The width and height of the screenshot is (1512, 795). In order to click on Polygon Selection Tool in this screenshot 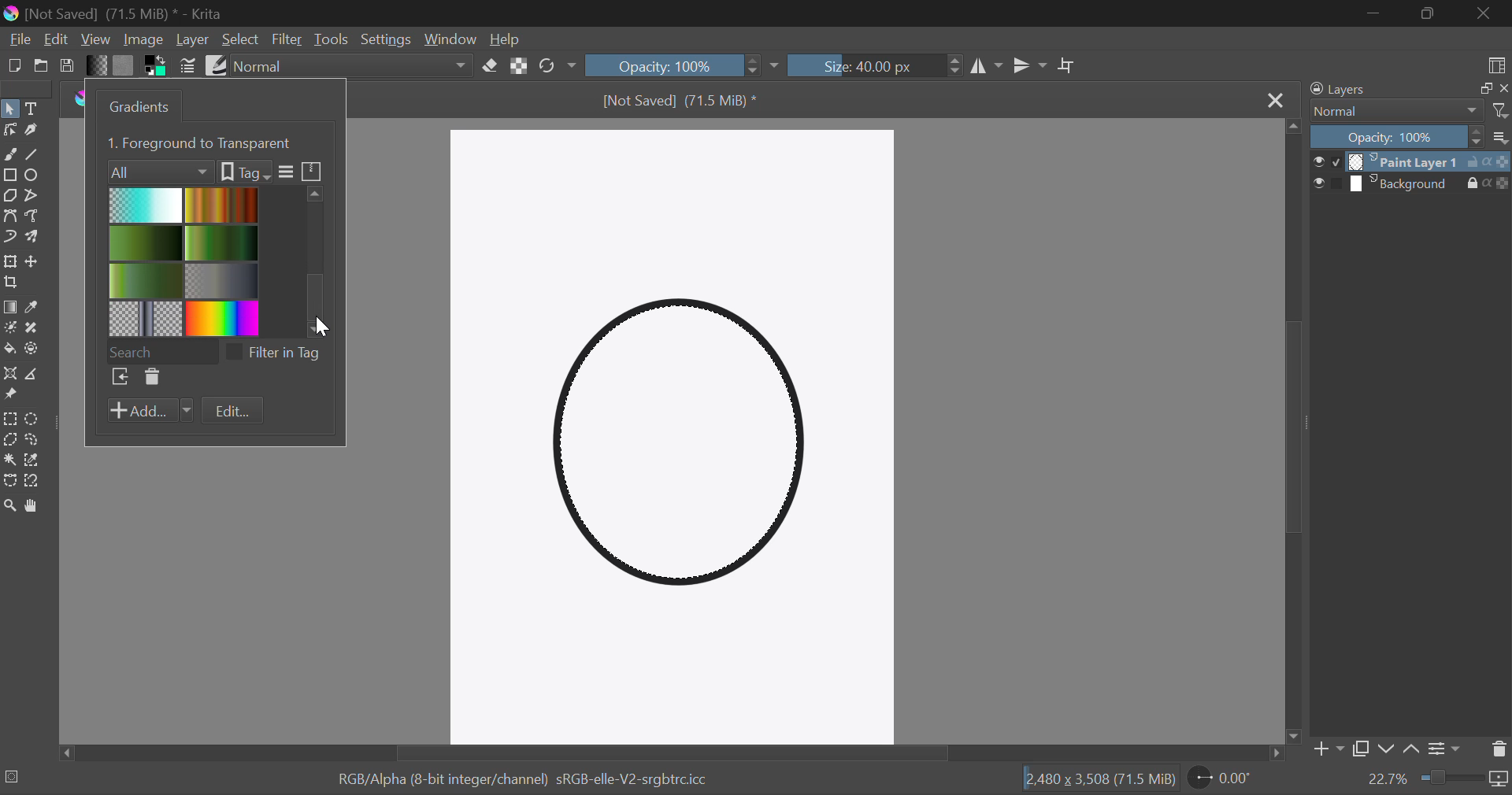, I will do `click(9, 439)`.